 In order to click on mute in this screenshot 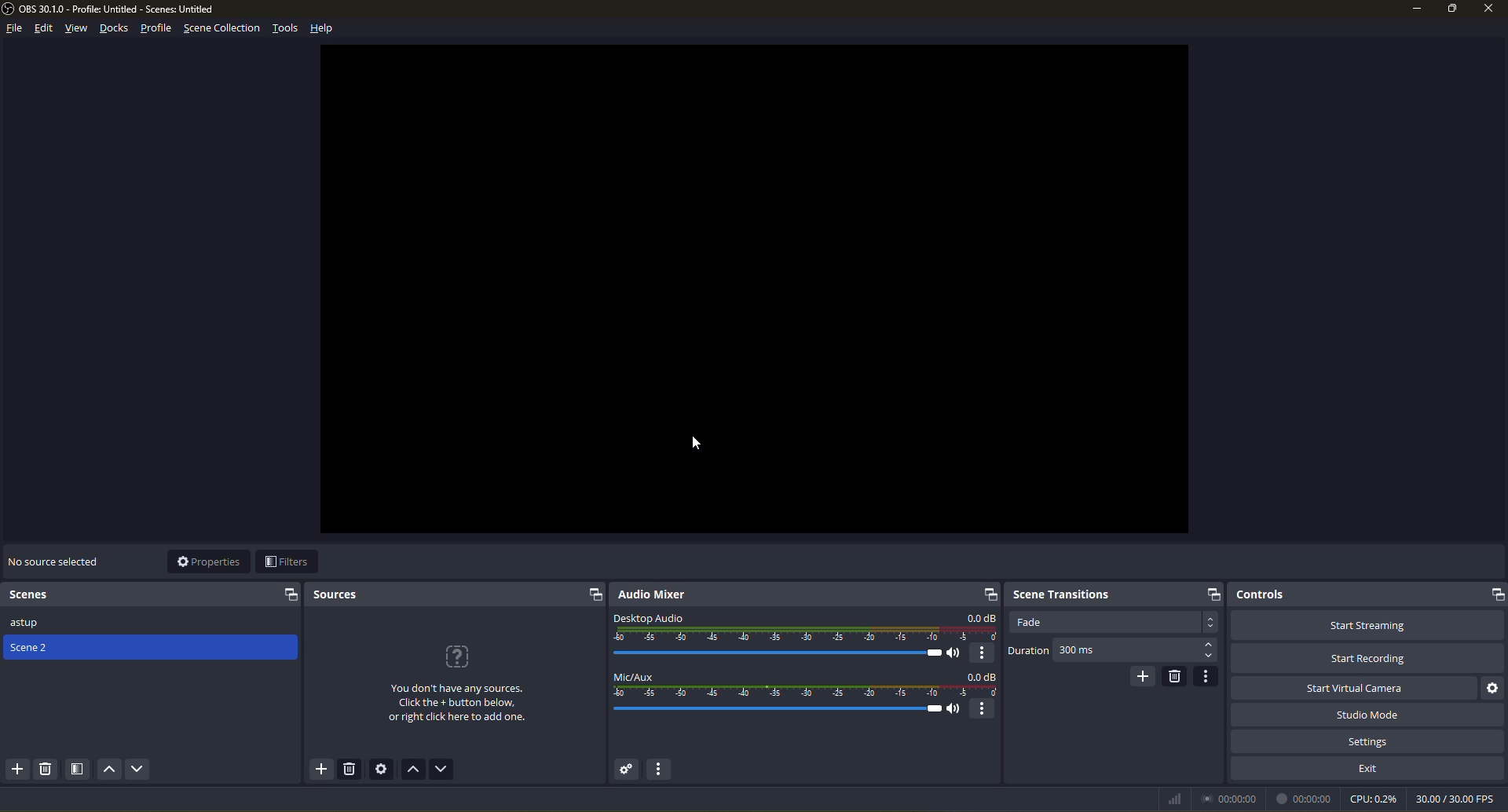, I will do `click(953, 653)`.